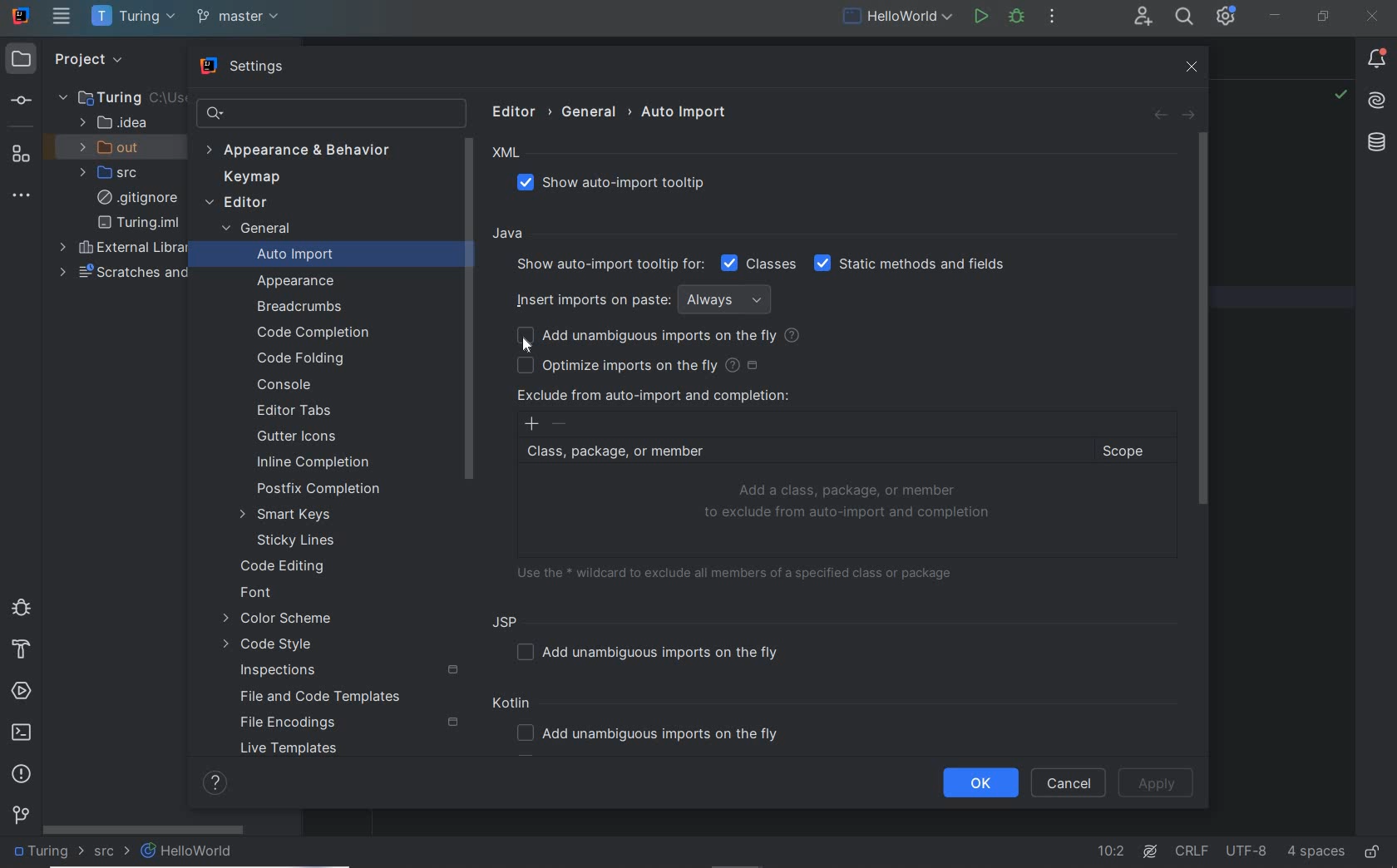 The image size is (1397, 868). Describe the element at coordinates (114, 123) in the screenshot. I see `.idea` at that location.